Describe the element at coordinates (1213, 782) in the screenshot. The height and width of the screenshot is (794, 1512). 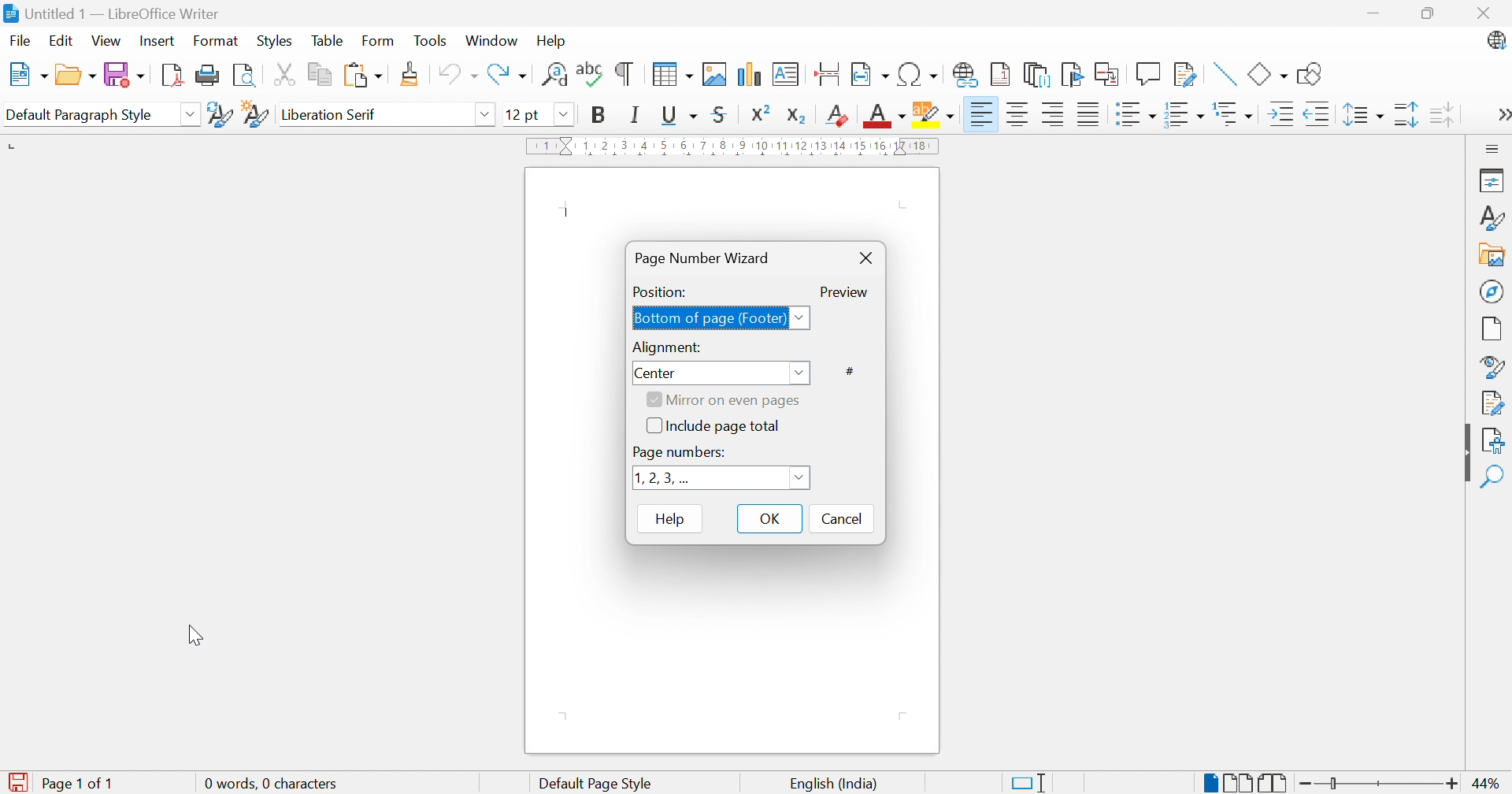
I see `Single-page view` at that location.